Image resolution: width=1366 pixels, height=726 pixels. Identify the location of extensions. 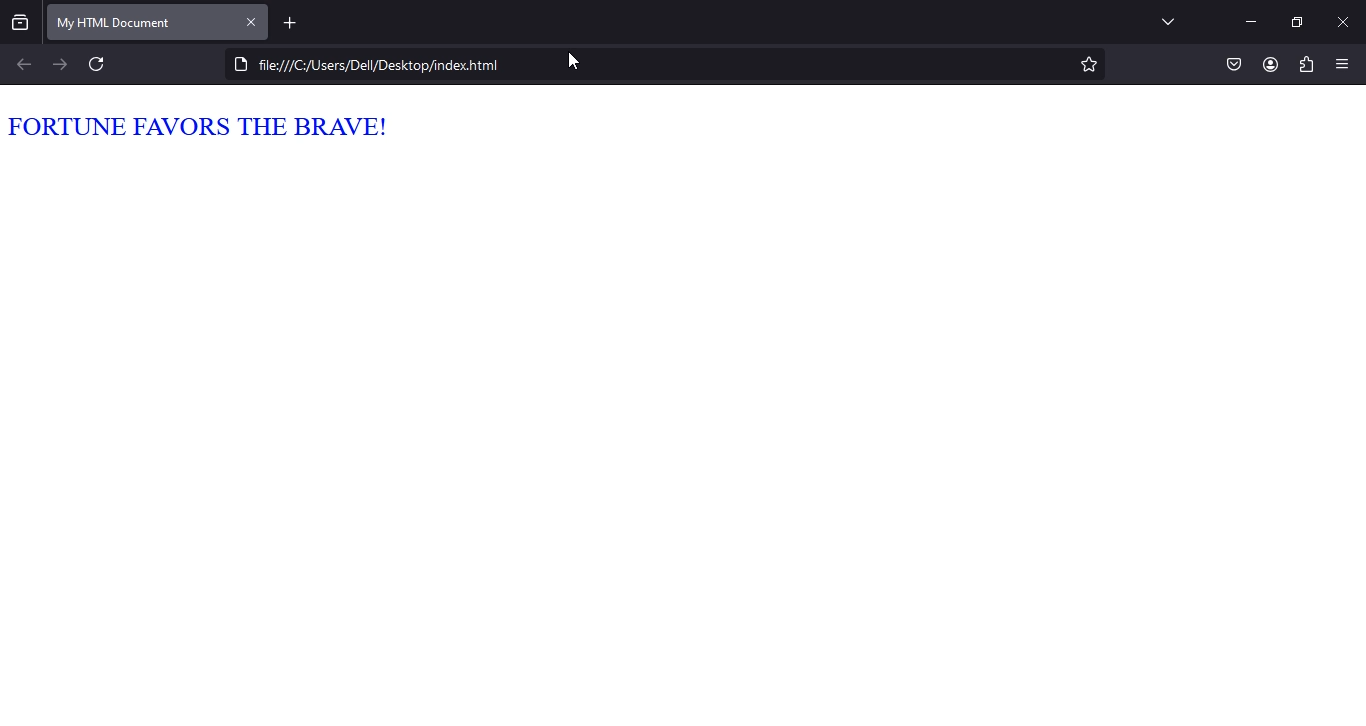
(1307, 66).